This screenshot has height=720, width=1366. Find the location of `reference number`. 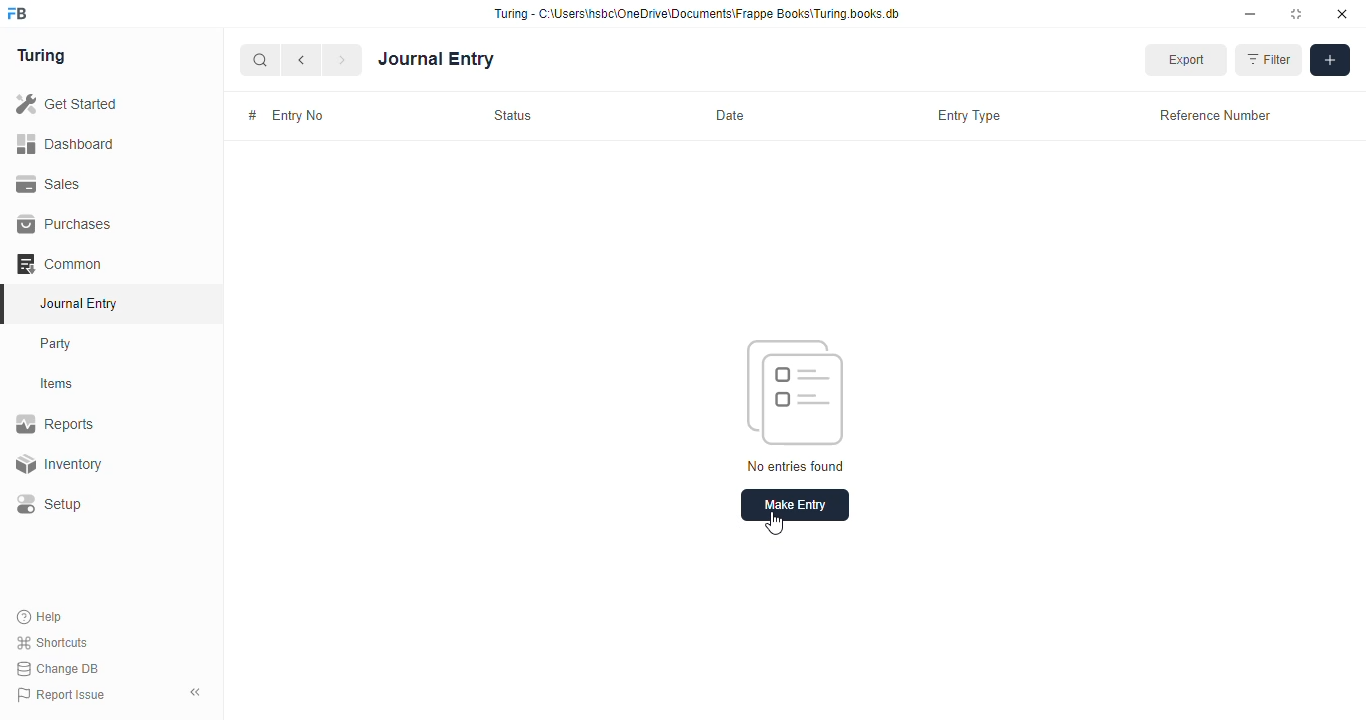

reference number is located at coordinates (1213, 115).